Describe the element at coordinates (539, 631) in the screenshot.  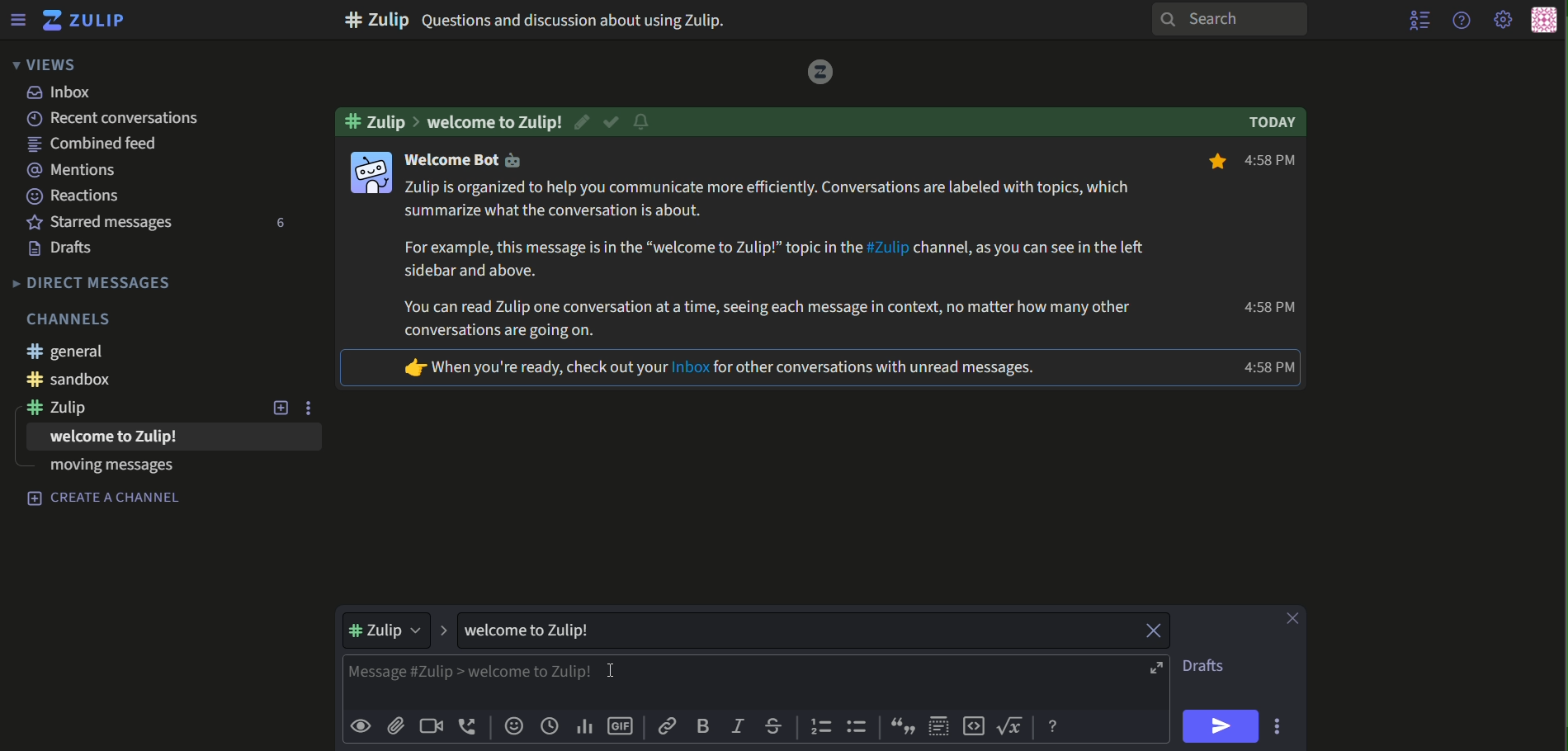
I see `text` at that location.